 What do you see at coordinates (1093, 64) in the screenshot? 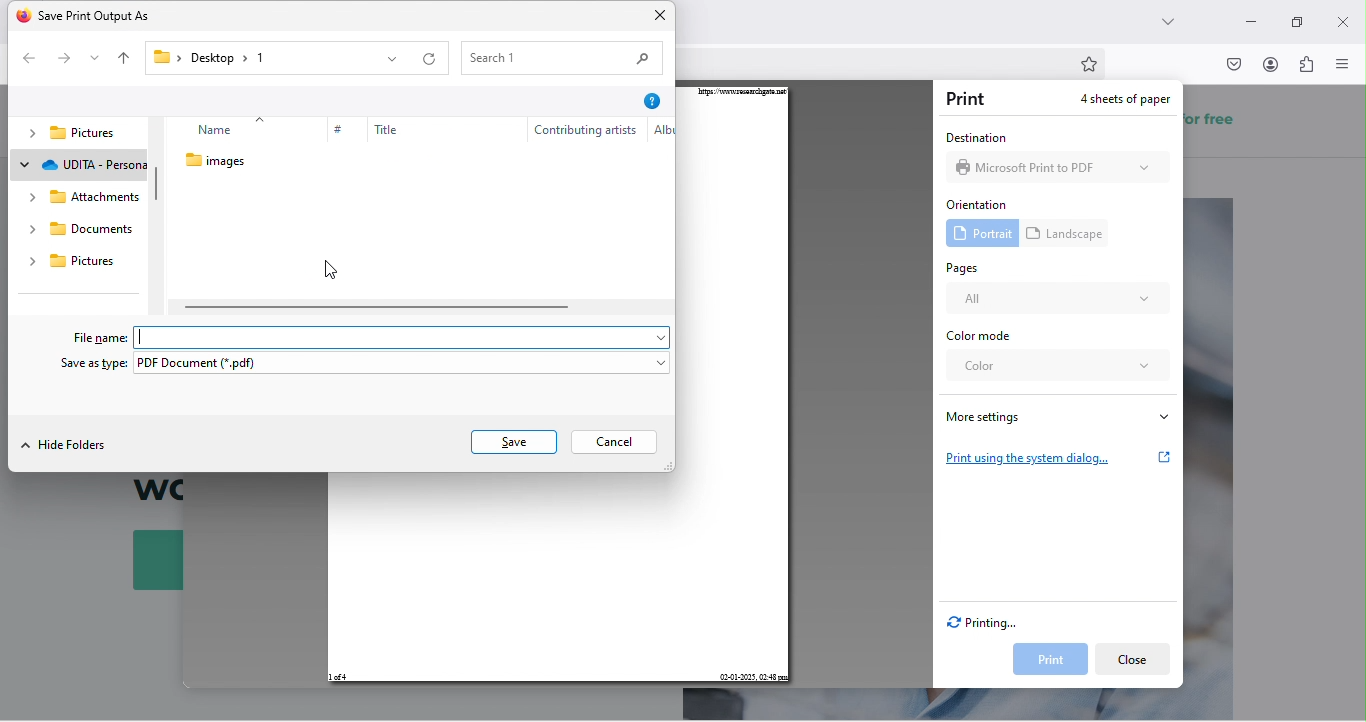
I see `bookmark` at bounding box center [1093, 64].